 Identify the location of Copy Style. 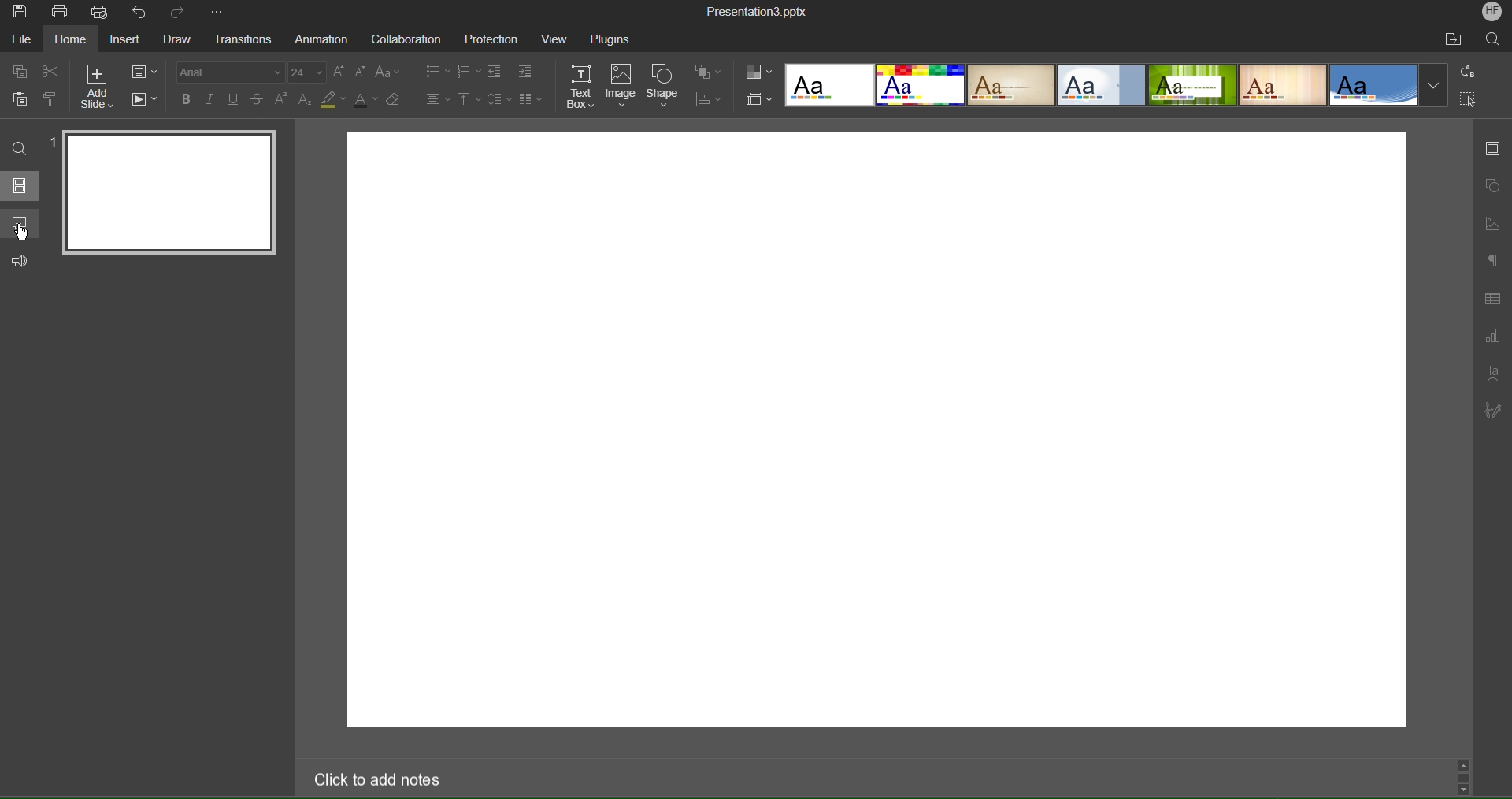
(49, 99).